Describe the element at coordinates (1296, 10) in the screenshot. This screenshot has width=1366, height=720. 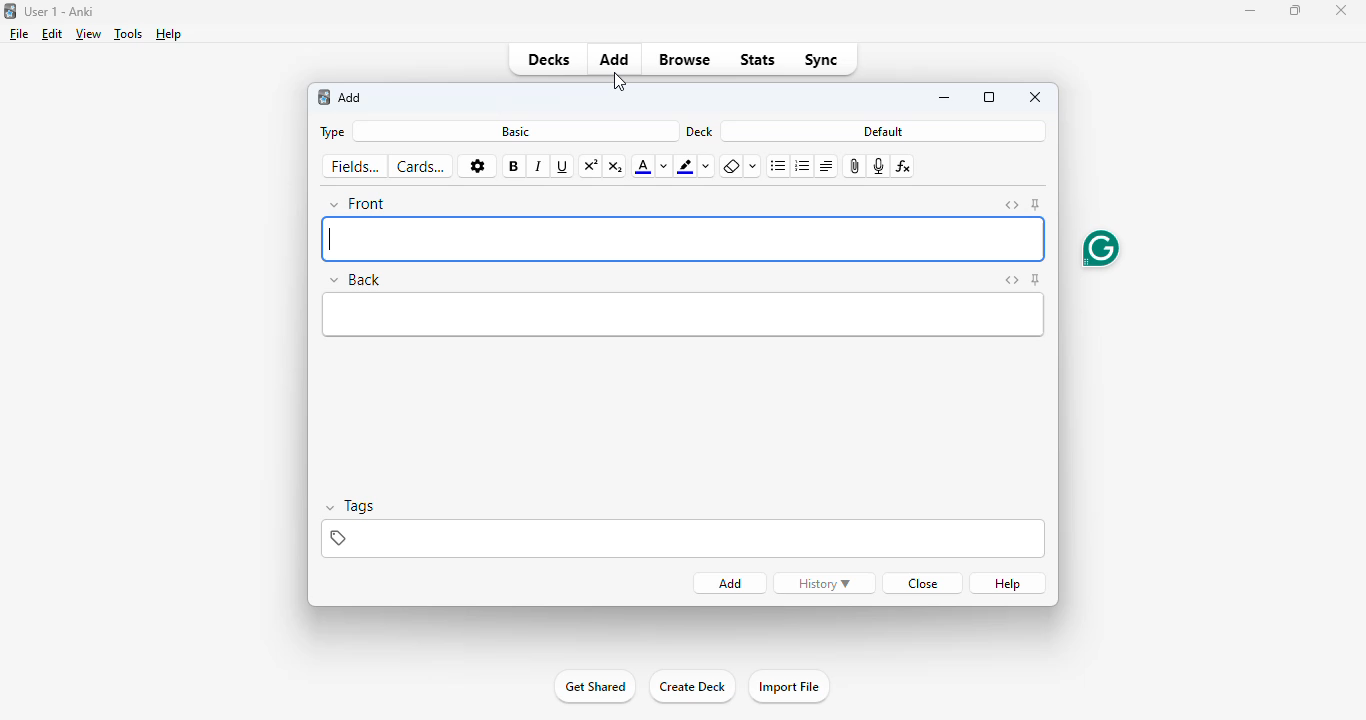
I see `maximize` at that location.